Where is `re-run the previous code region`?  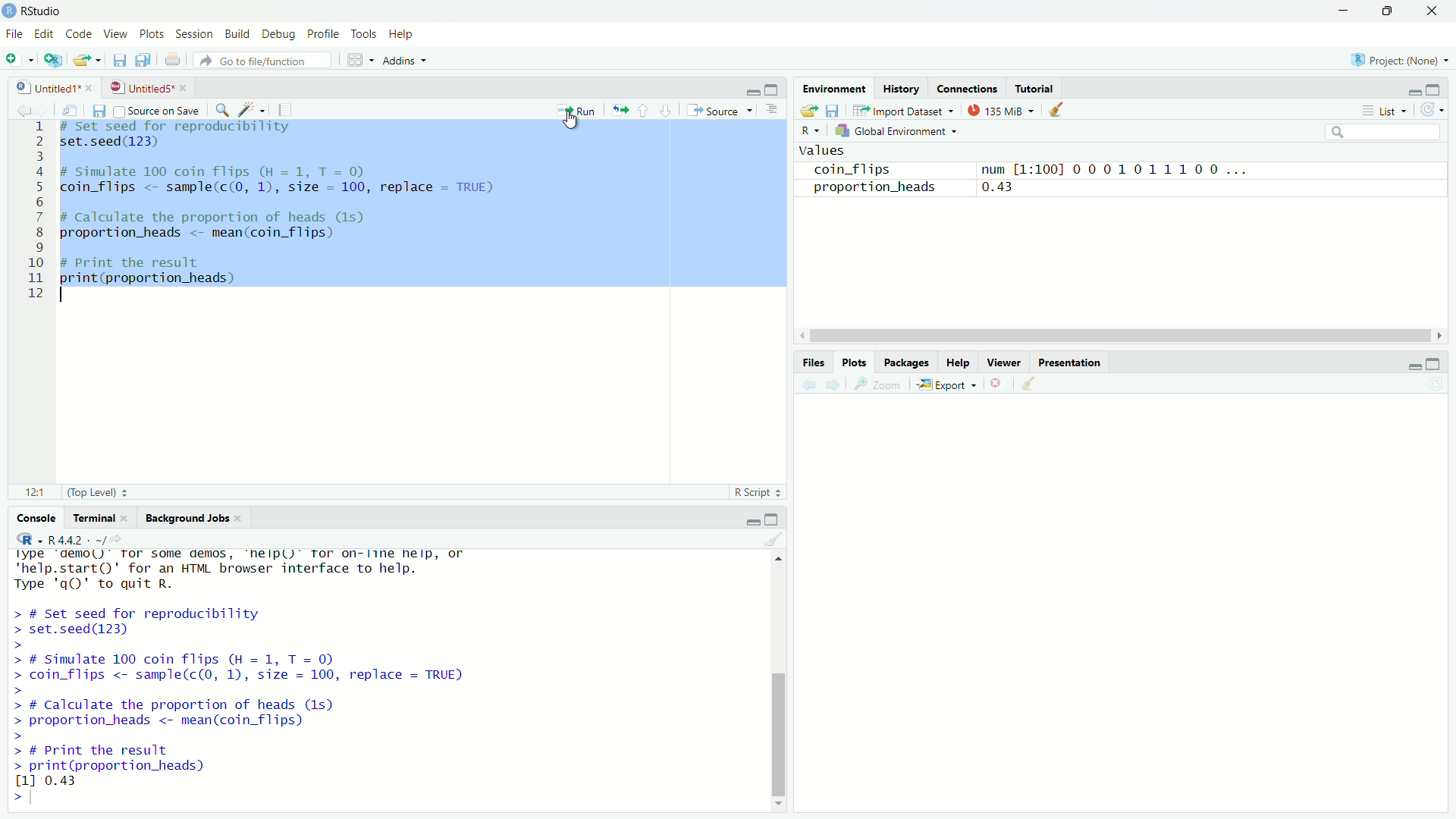 re-run the previous code region is located at coordinates (619, 110).